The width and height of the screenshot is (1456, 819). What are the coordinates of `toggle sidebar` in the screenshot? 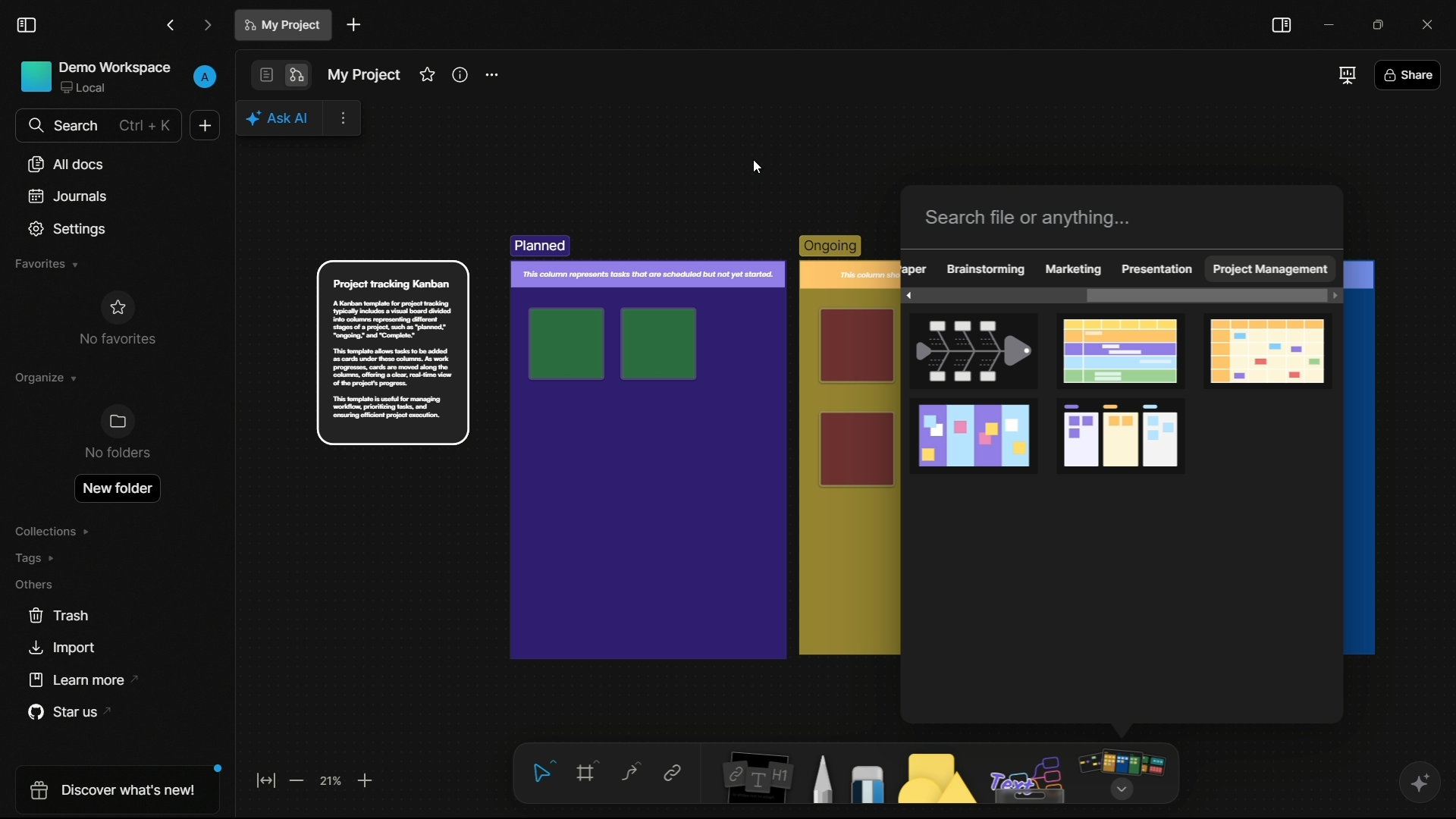 It's located at (27, 26).